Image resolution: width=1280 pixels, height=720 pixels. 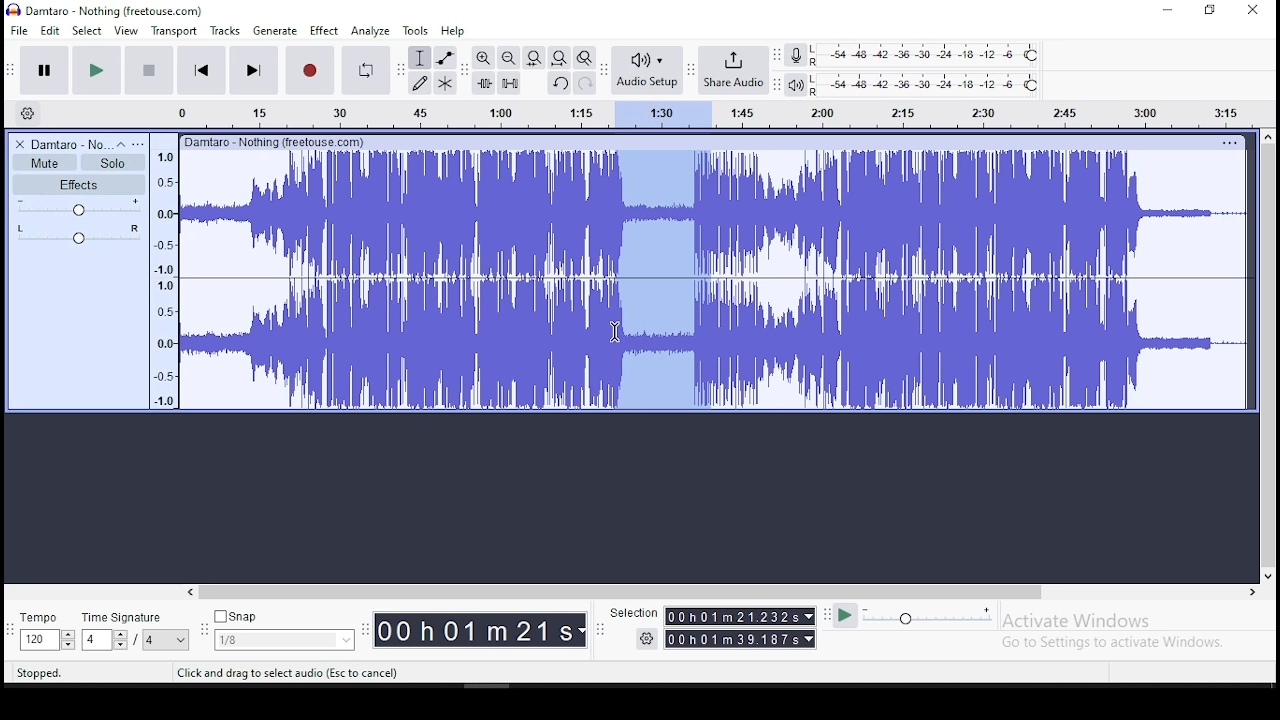 What do you see at coordinates (94, 640) in the screenshot?
I see `4` at bounding box center [94, 640].